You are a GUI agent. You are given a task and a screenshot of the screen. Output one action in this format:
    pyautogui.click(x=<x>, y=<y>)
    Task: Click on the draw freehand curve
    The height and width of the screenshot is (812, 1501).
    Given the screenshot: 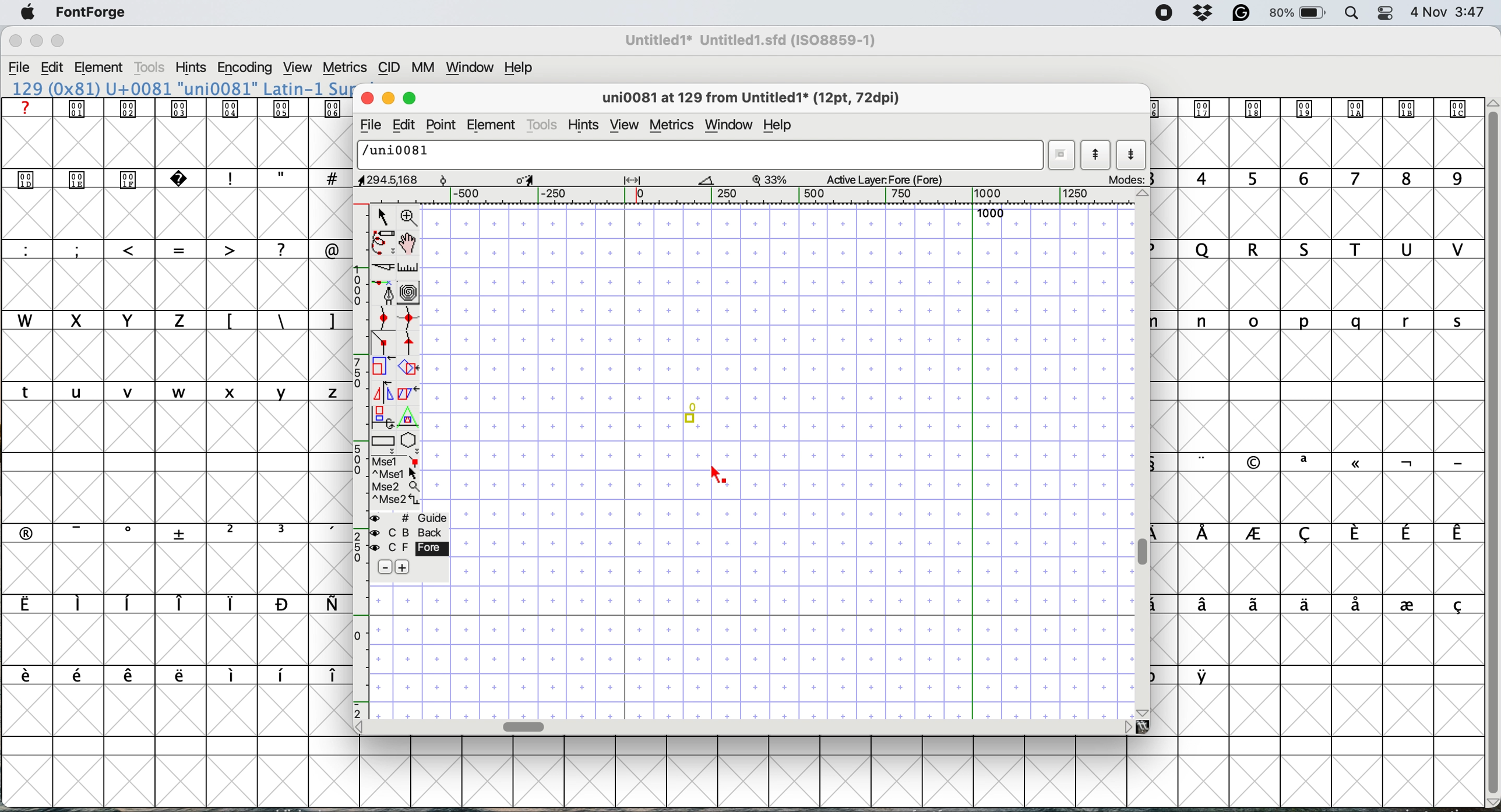 What is the action you would take?
    pyautogui.click(x=383, y=242)
    